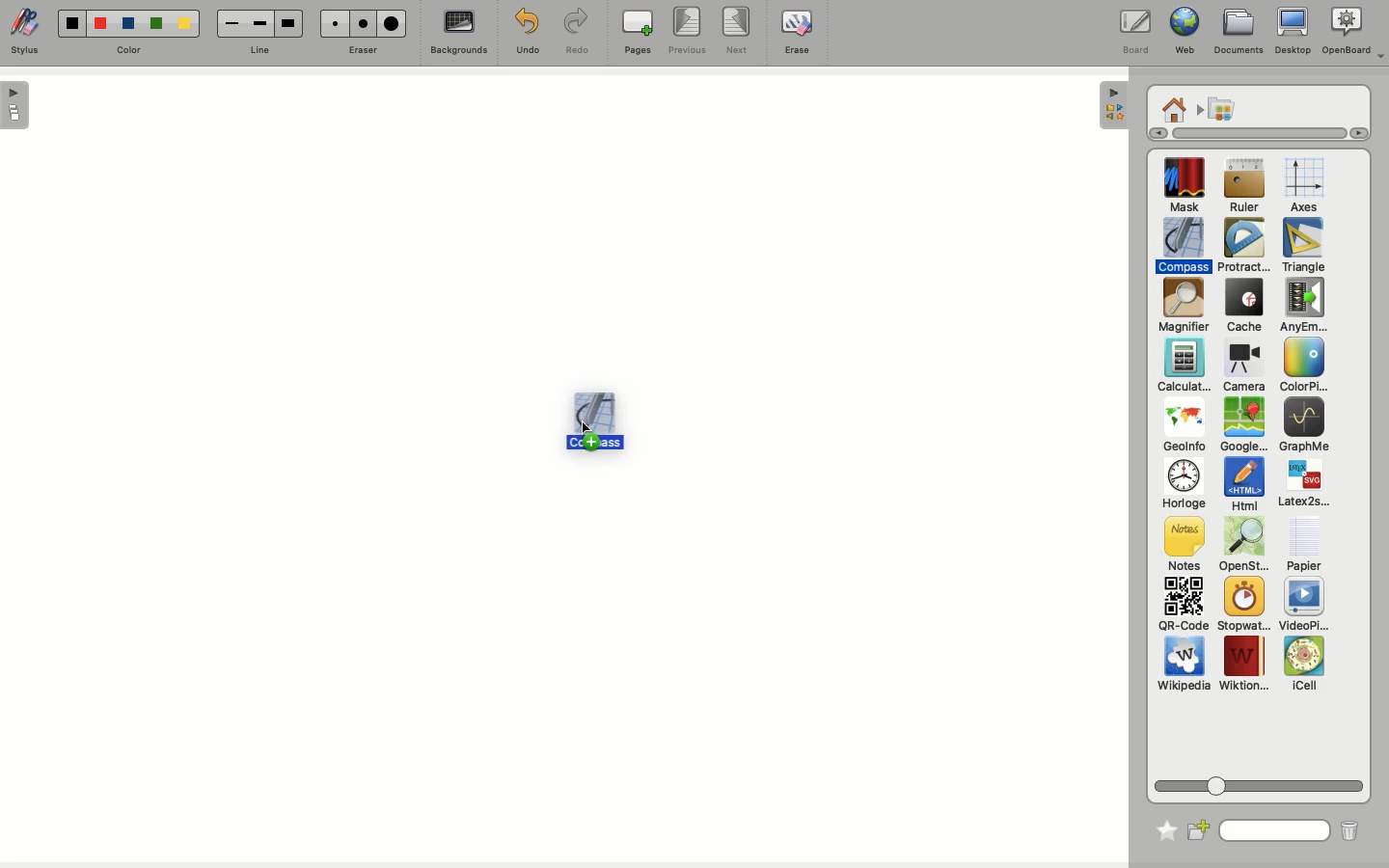 The width and height of the screenshot is (1389, 868). What do you see at coordinates (1134, 32) in the screenshot?
I see `Board` at bounding box center [1134, 32].